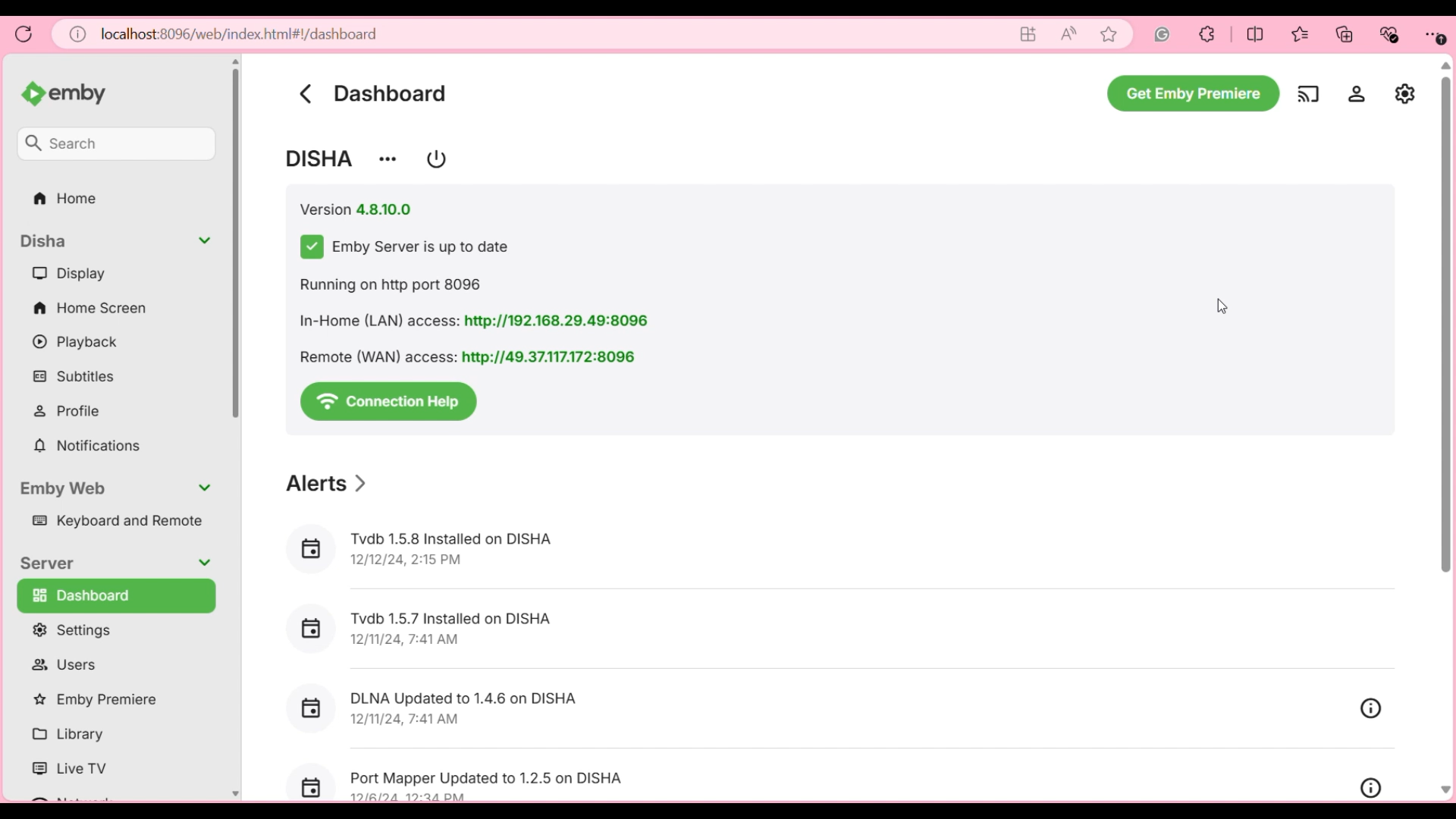 The image size is (1456, 819). I want to click on Read aloud page, so click(1068, 34).